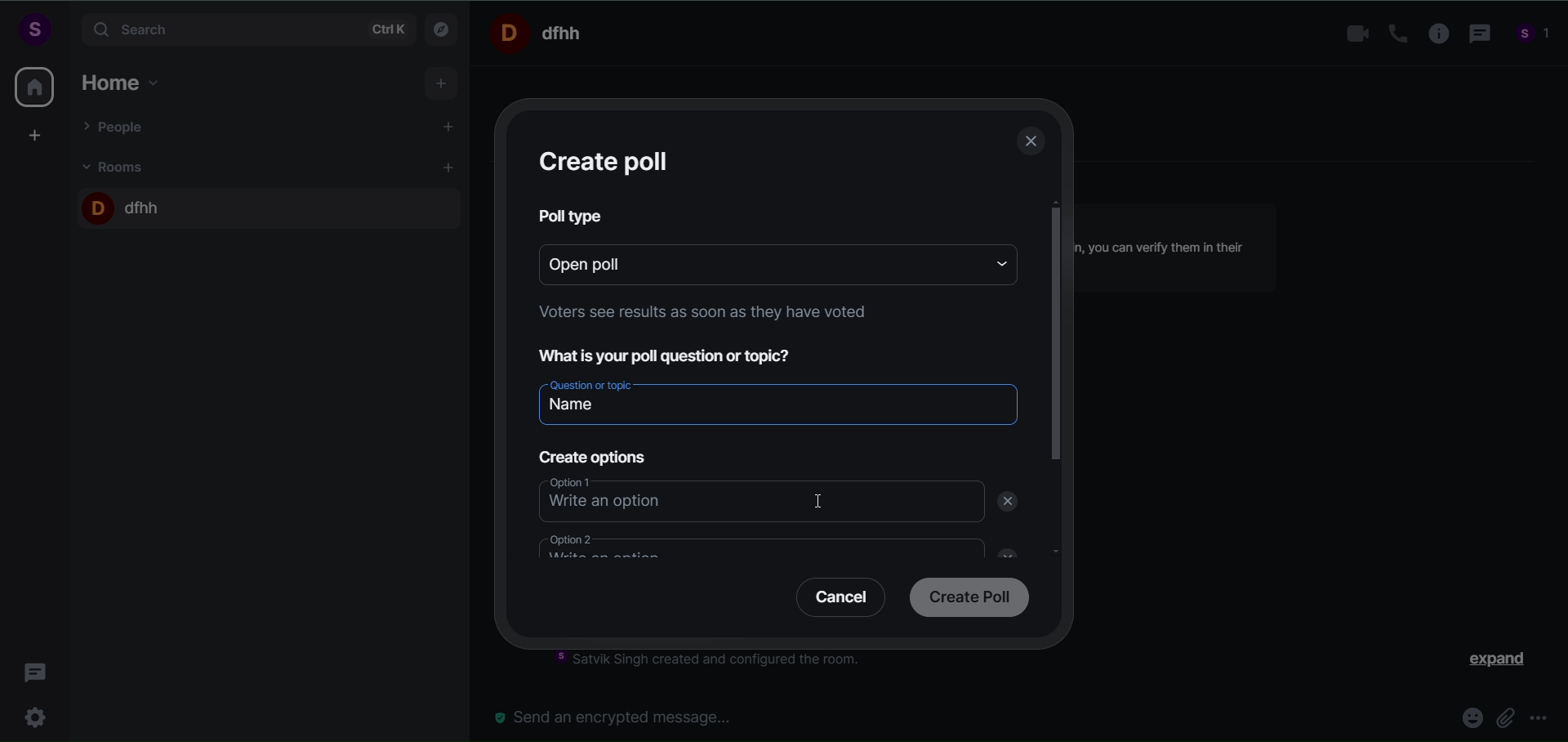 The image size is (1568, 742). What do you see at coordinates (749, 545) in the screenshot?
I see `option 2` at bounding box center [749, 545].